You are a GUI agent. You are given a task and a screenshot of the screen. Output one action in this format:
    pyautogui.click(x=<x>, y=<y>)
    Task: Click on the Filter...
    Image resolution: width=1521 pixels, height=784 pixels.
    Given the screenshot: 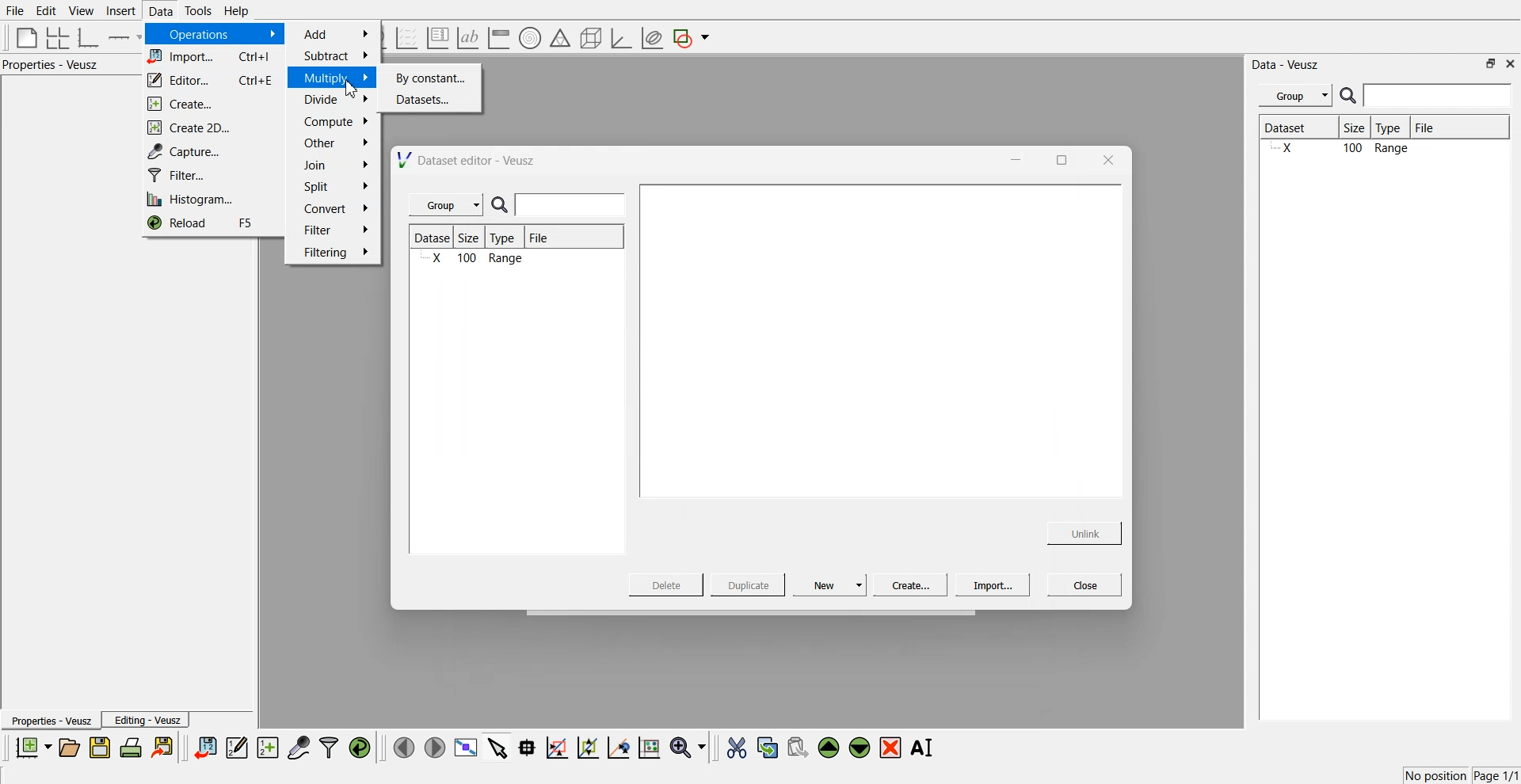 What is the action you would take?
    pyautogui.click(x=209, y=176)
    